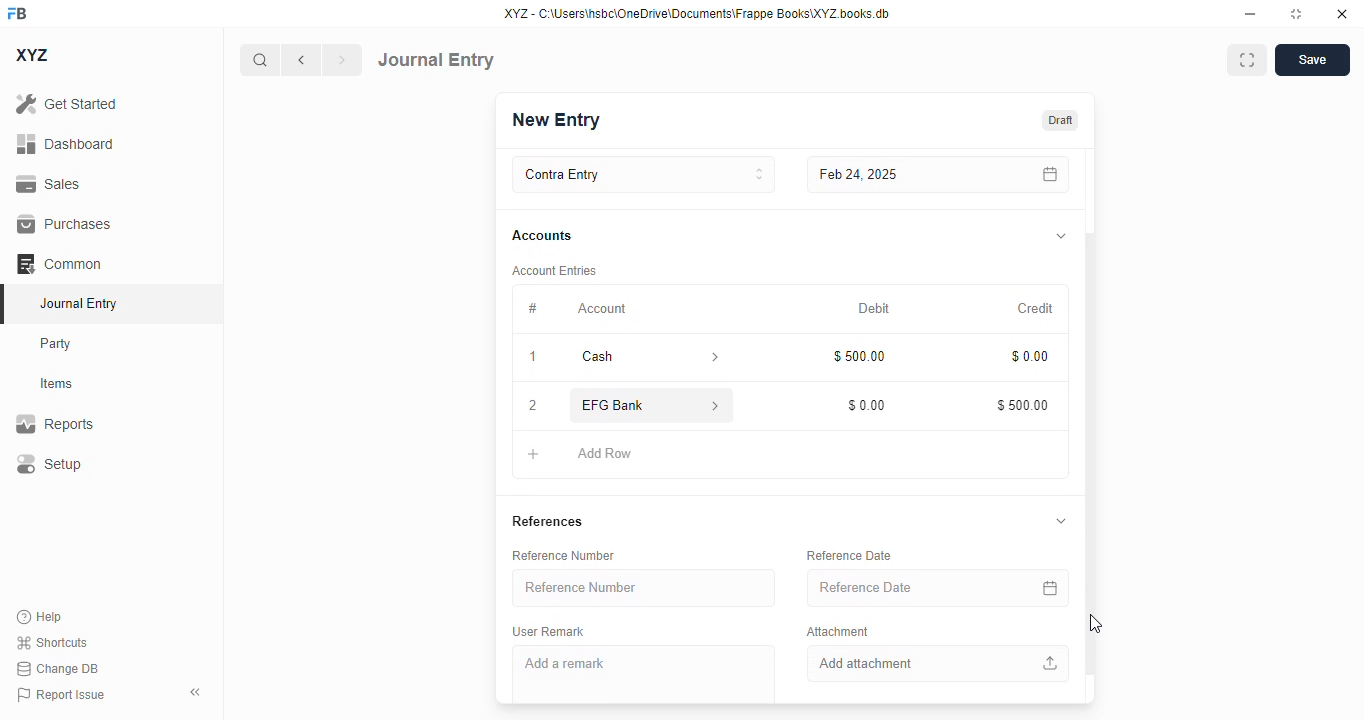  I want to click on new entry, so click(557, 119).